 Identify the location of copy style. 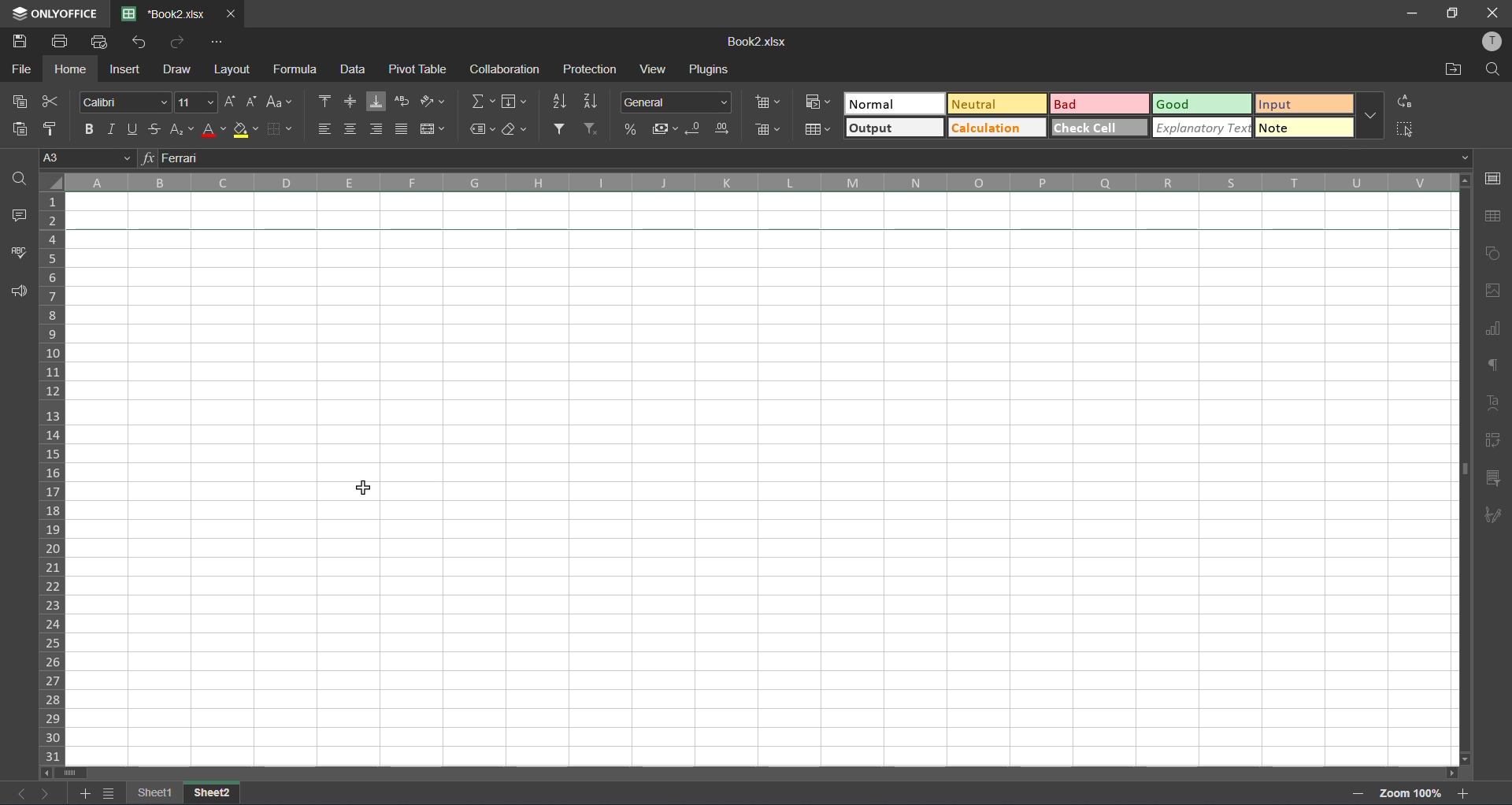
(50, 127).